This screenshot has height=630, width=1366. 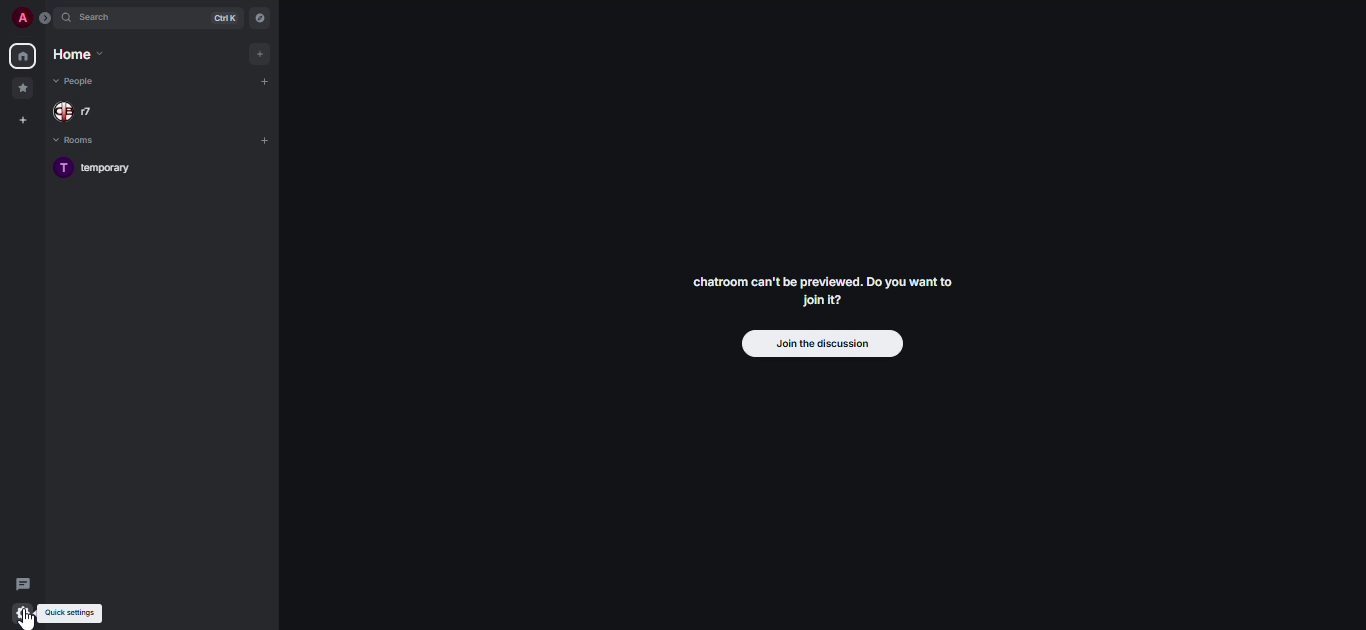 What do you see at coordinates (22, 56) in the screenshot?
I see `home` at bounding box center [22, 56].